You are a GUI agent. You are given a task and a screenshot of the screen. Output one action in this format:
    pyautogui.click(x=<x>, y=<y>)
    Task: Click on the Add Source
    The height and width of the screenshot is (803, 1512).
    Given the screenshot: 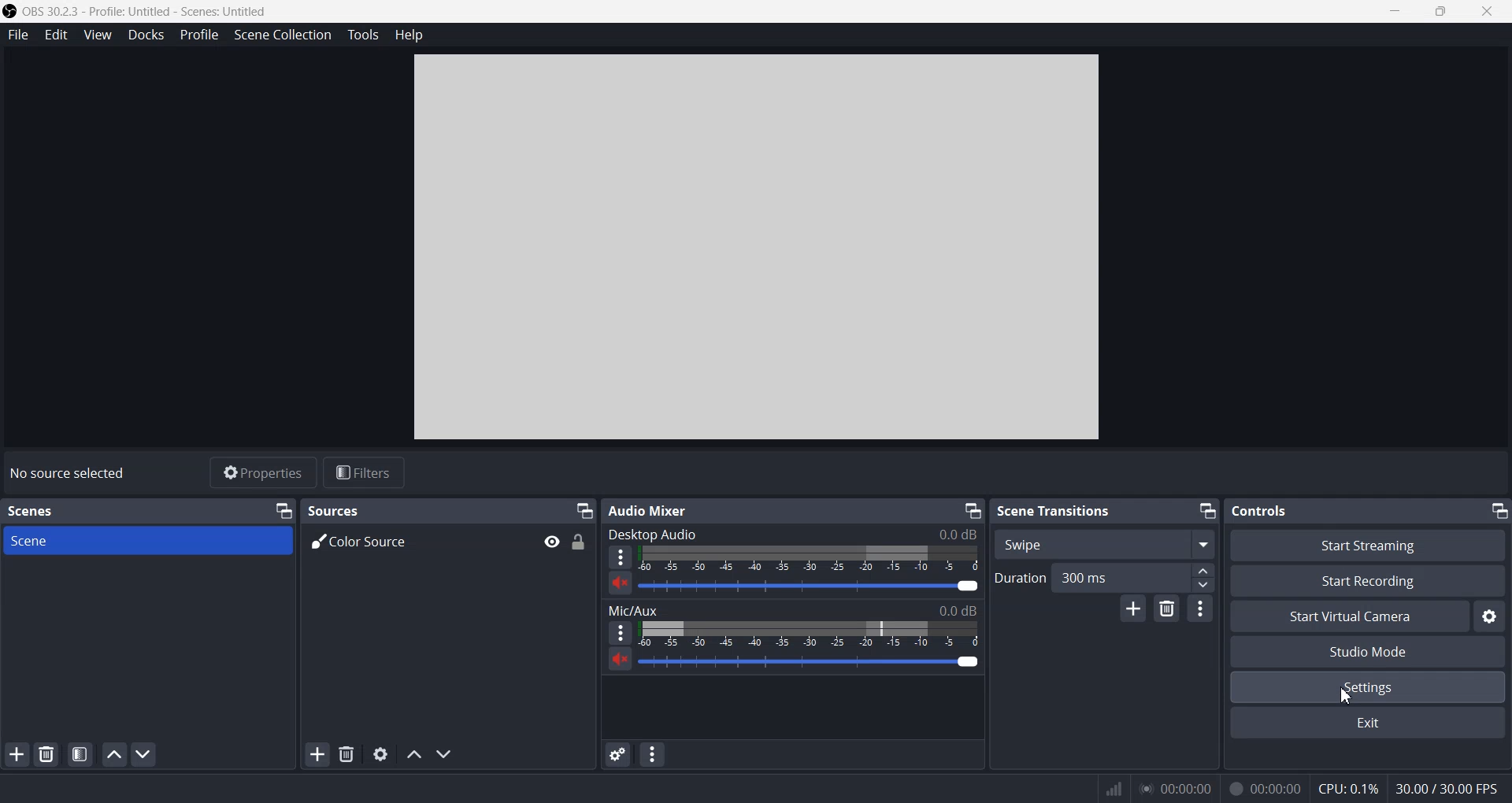 What is the action you would take?
    pyautogui.click(x=317, y=754)
    